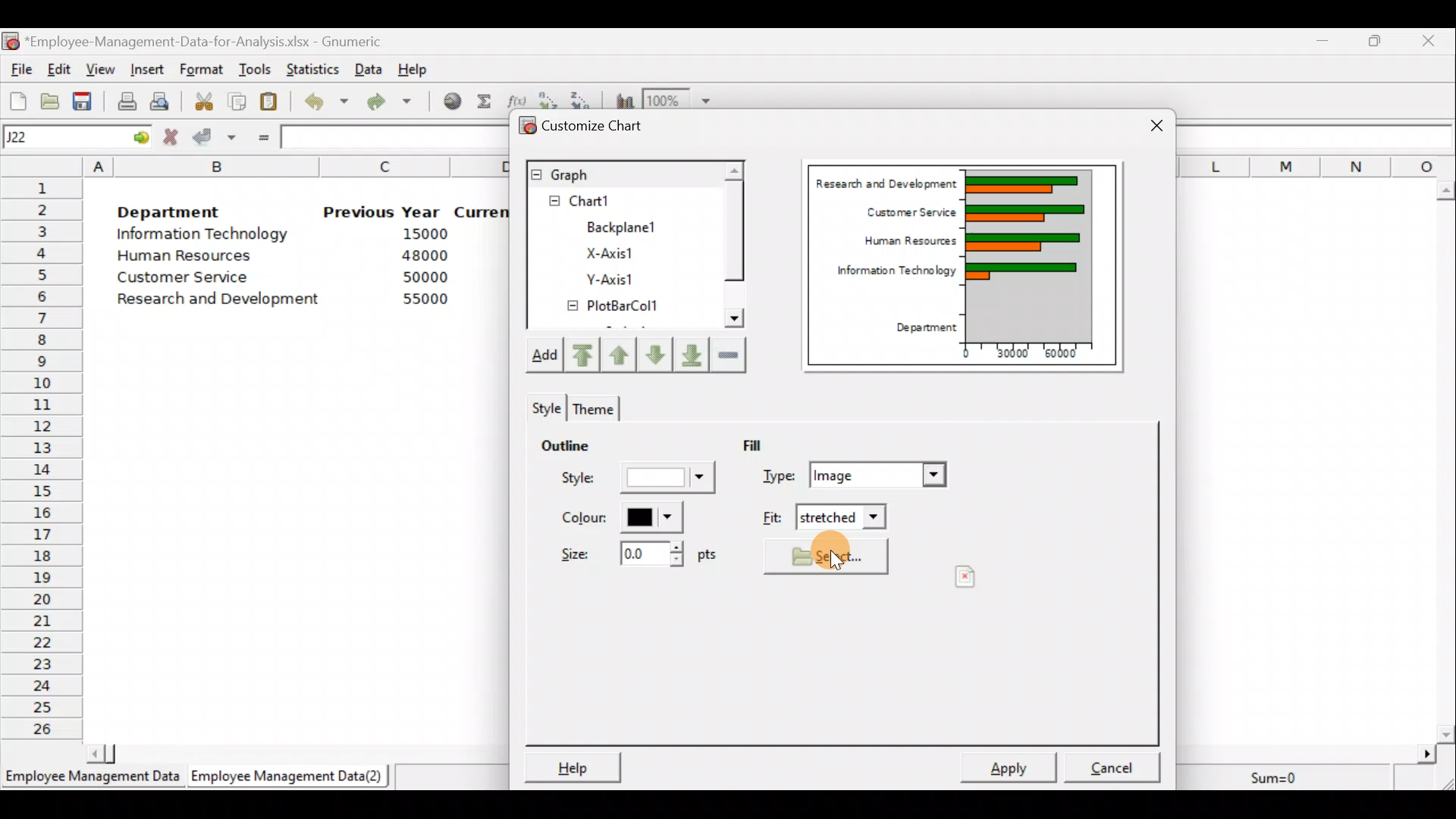 The image size is (1456, 819). I want to click on Minimize, so click(1320, 42).